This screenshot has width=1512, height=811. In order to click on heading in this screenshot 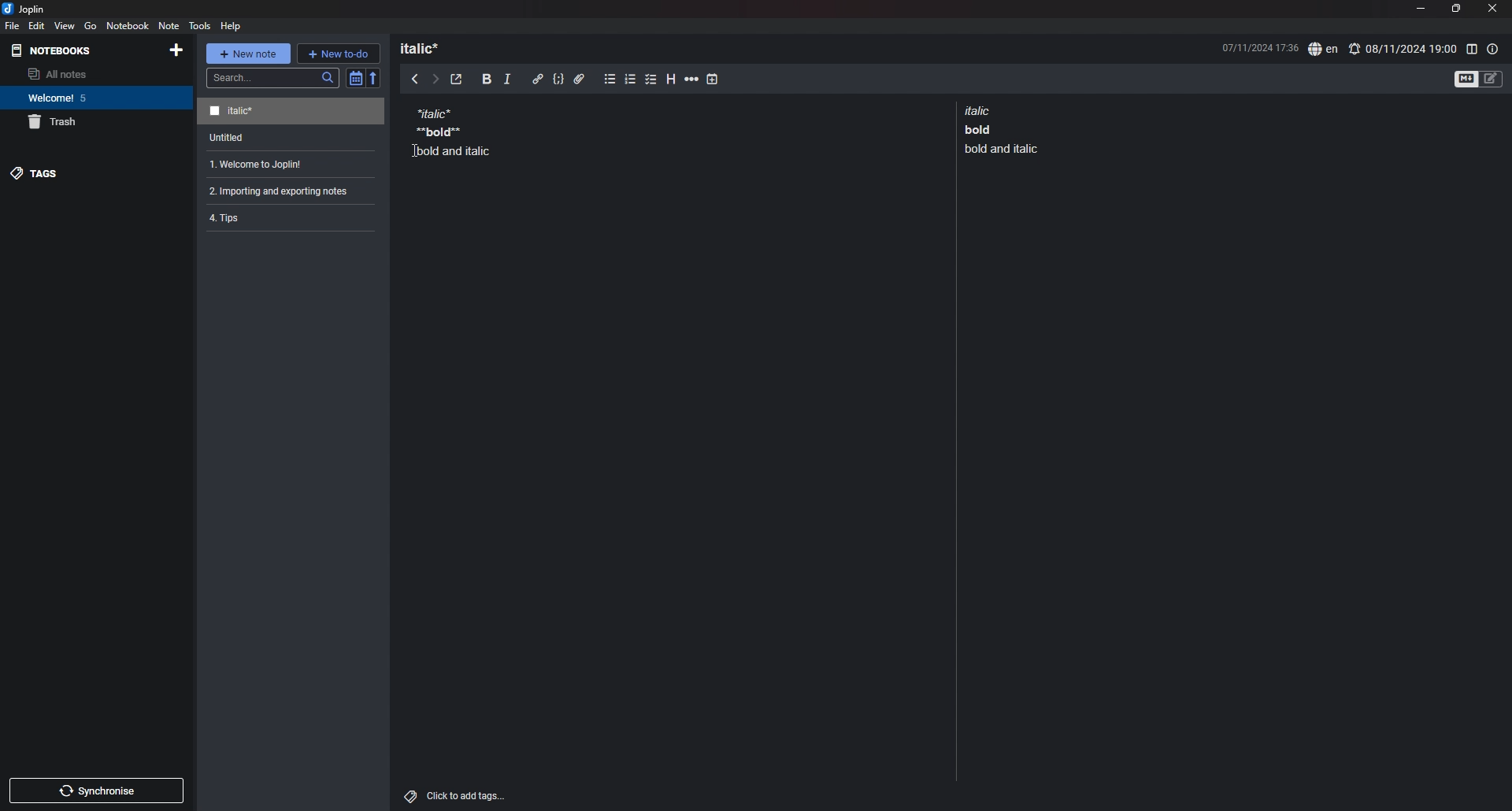, I will do `click(673, 80)`.